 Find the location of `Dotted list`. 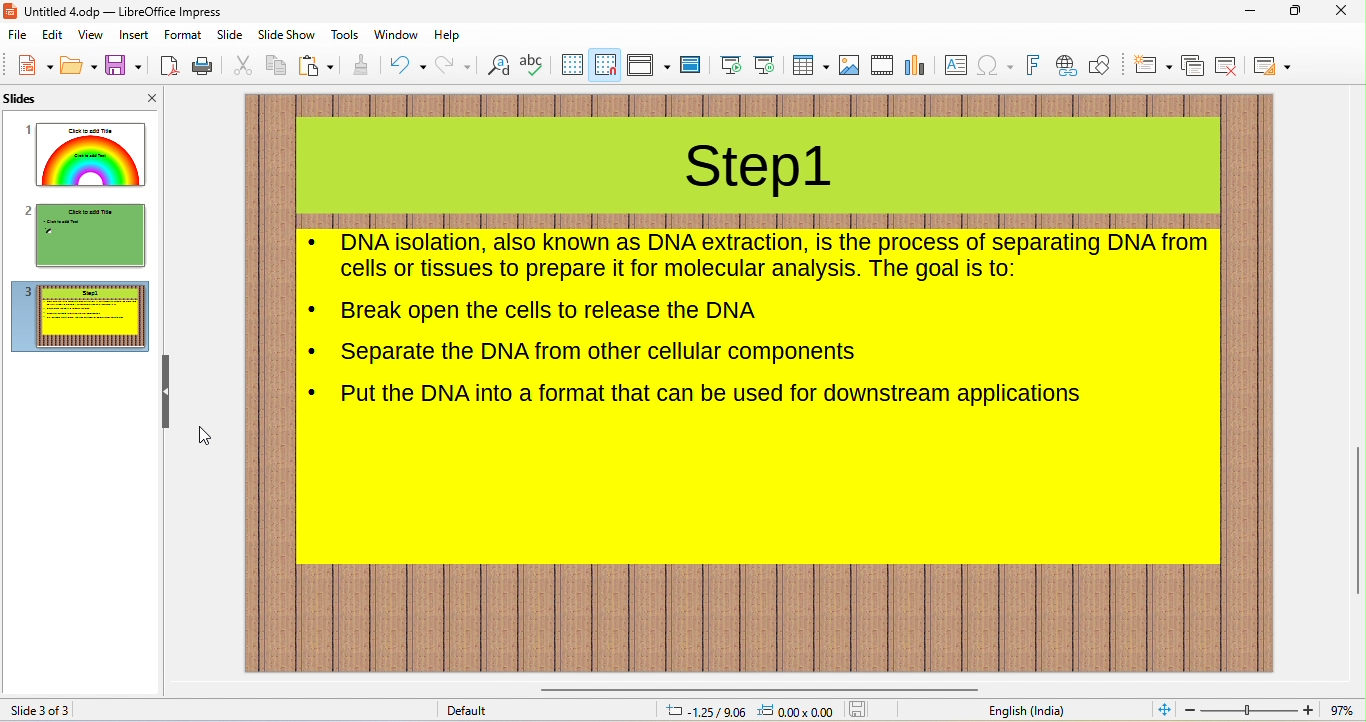

Dotted list is located at coordinates (314, 352).